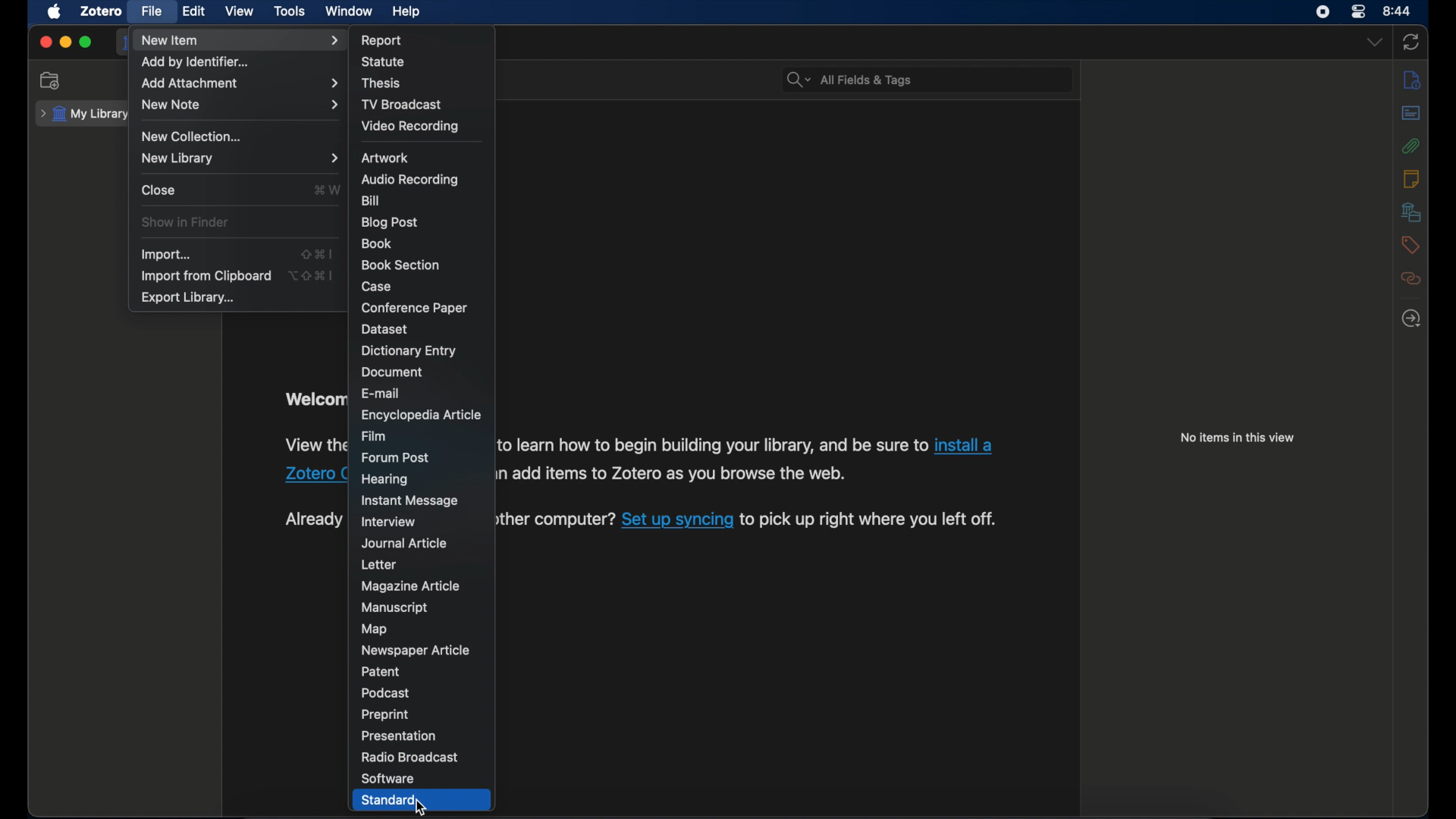 This screenshot has height=819, width=1456. What do you see at coordinates (374, 629) in the screenshot?
I see `map` at bounding box center [374, 629].